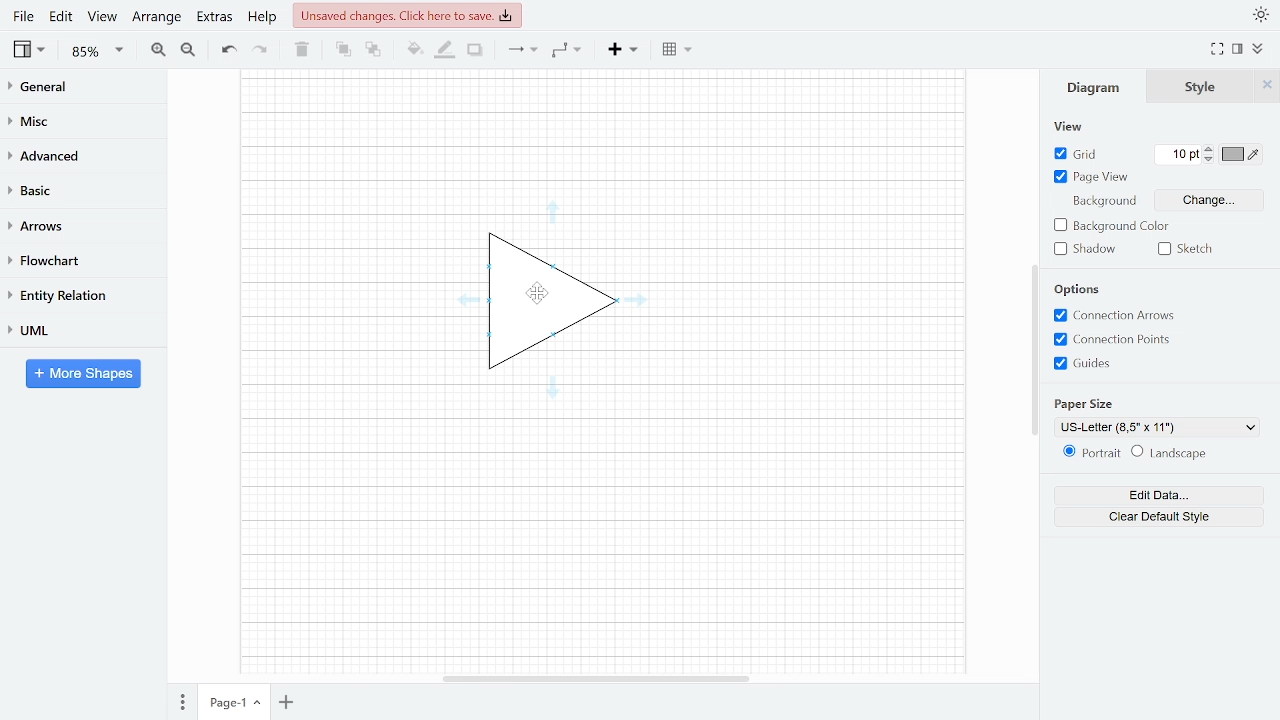 Image resolution: width=1280 pixels, height=720 pixels. I want to click on MIsc, so click(75, 120).